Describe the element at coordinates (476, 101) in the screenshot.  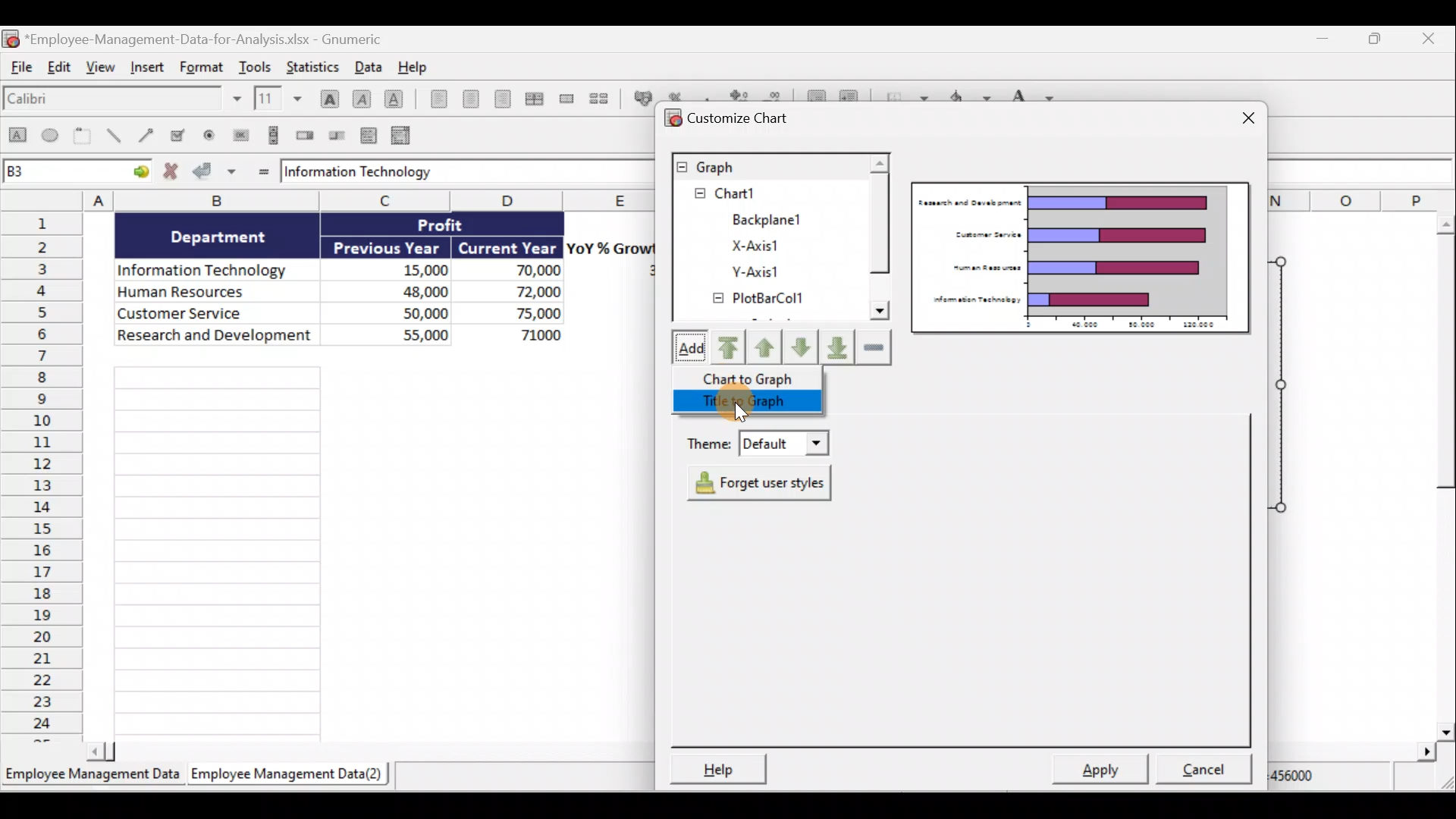
I see `Centre horizontally` at that location.